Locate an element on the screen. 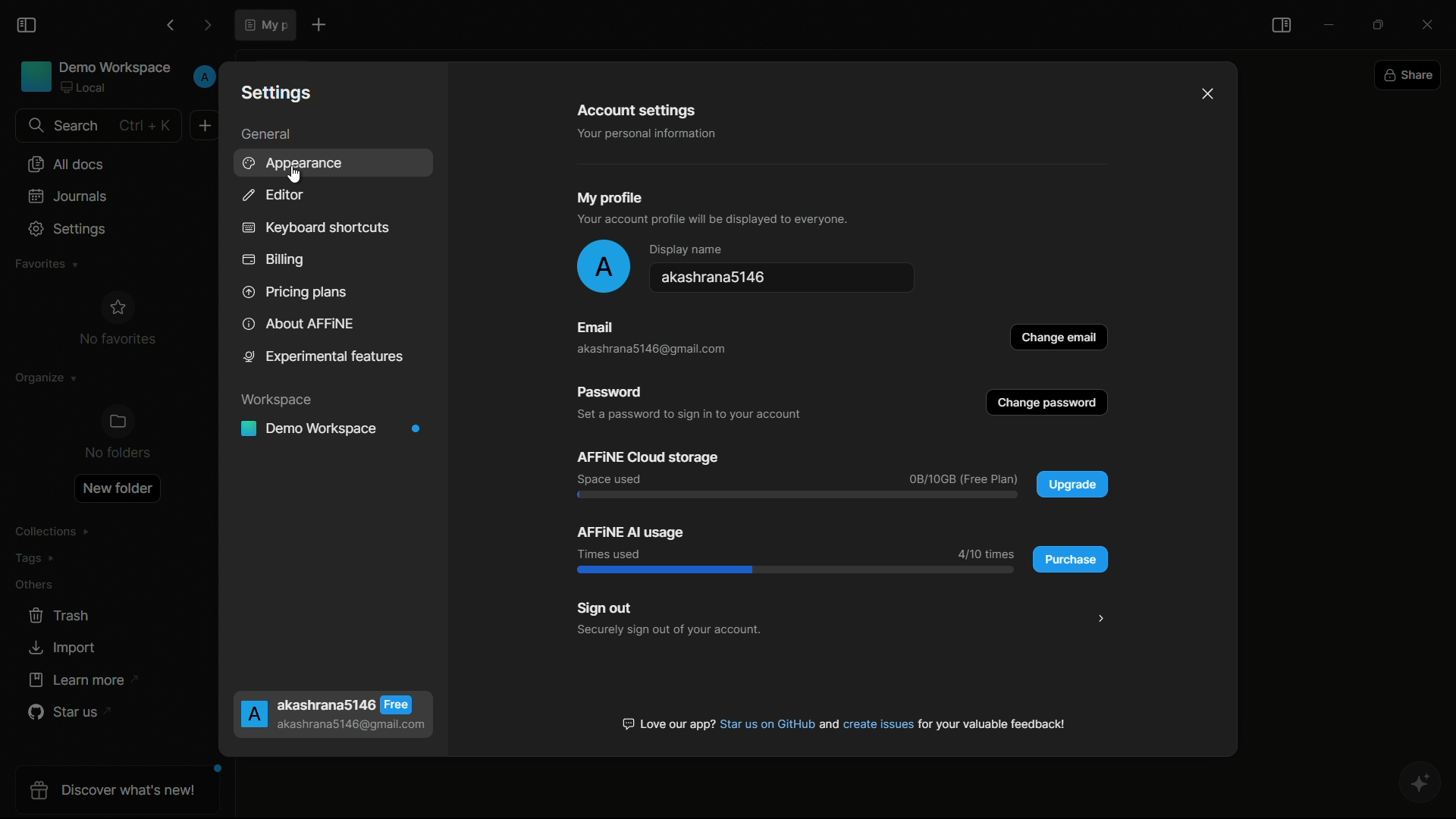 The height and width of the screenshot is (819, 1456). settings is located at coordinates (70, 229).